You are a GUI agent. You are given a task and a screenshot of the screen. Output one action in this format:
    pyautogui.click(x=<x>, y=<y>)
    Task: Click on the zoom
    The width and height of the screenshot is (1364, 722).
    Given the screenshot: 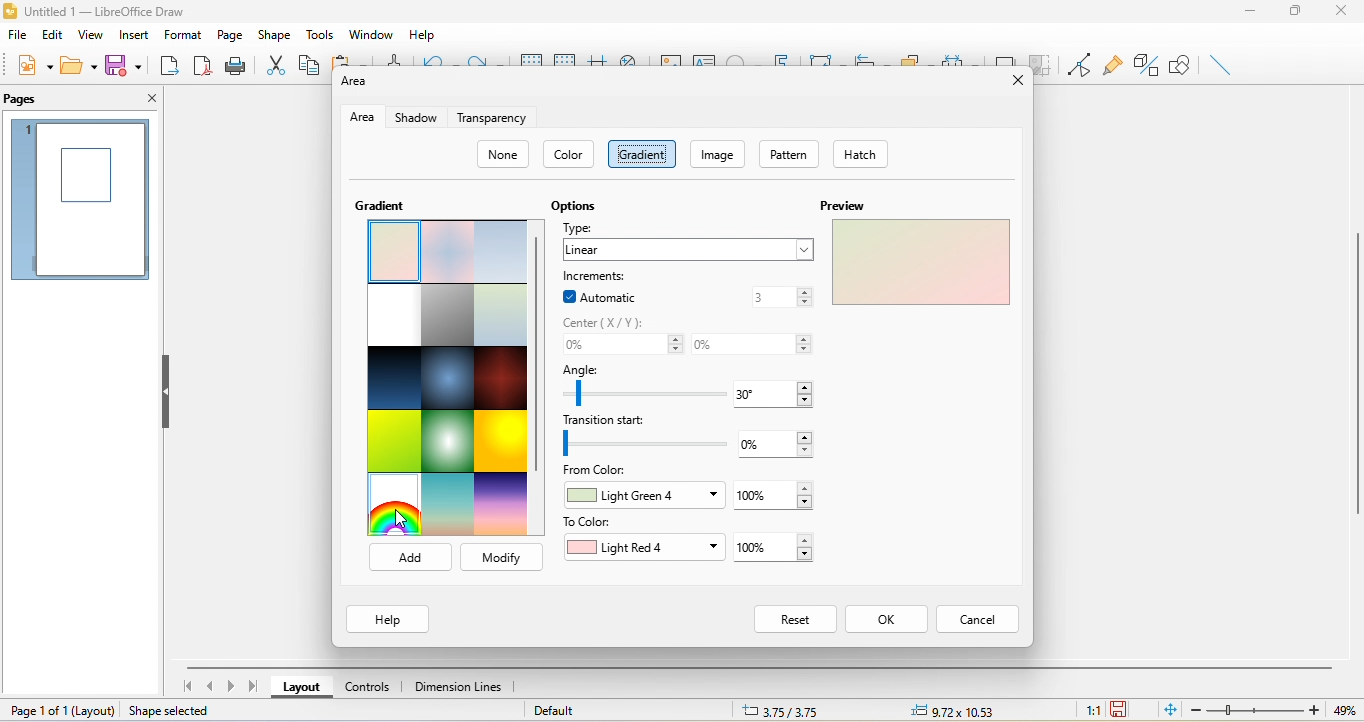 What is the action you would take?
    pyautogui.click(x=1278, y=710)
    